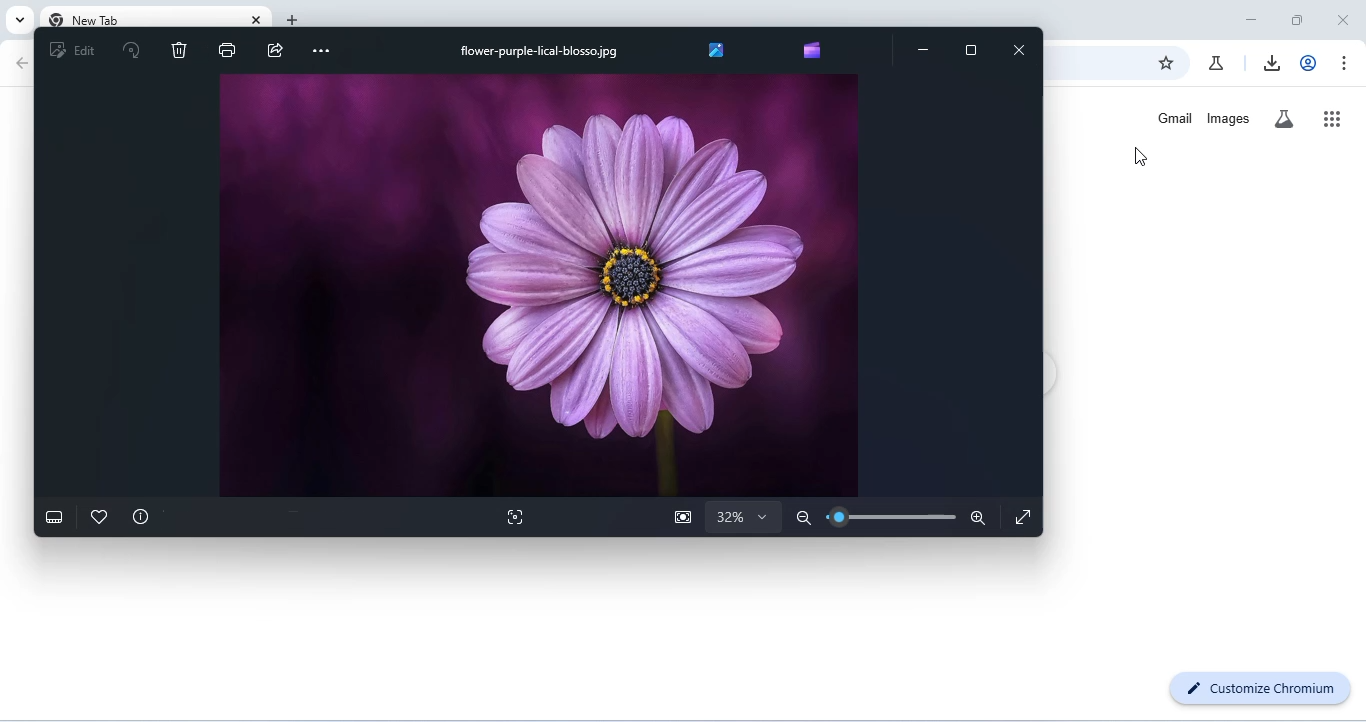 The width and height of the screenshot is (1366, 722). I want to click on visual search with bing, so click(517, 518).